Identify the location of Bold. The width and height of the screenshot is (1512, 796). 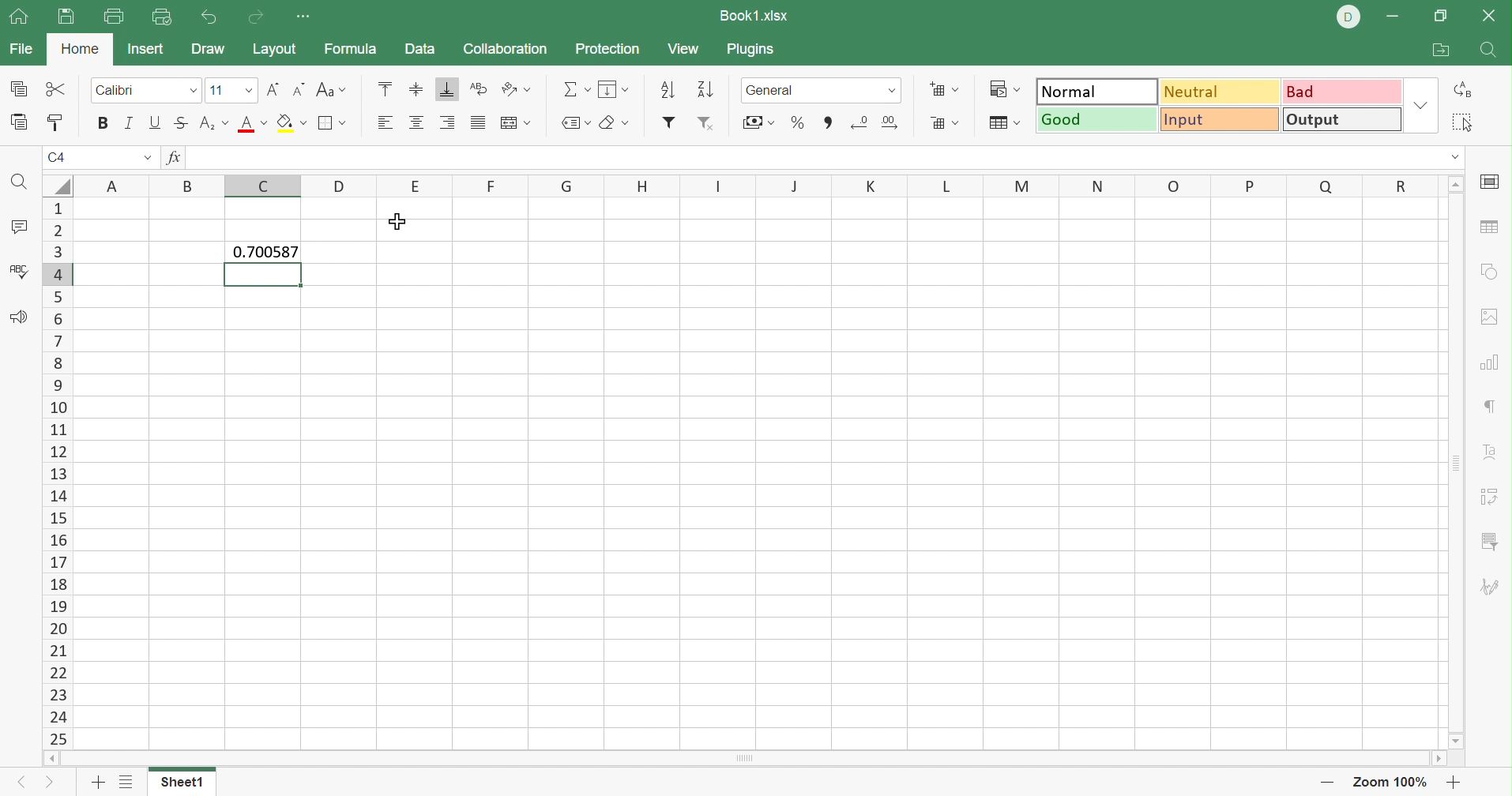
(103, 123).